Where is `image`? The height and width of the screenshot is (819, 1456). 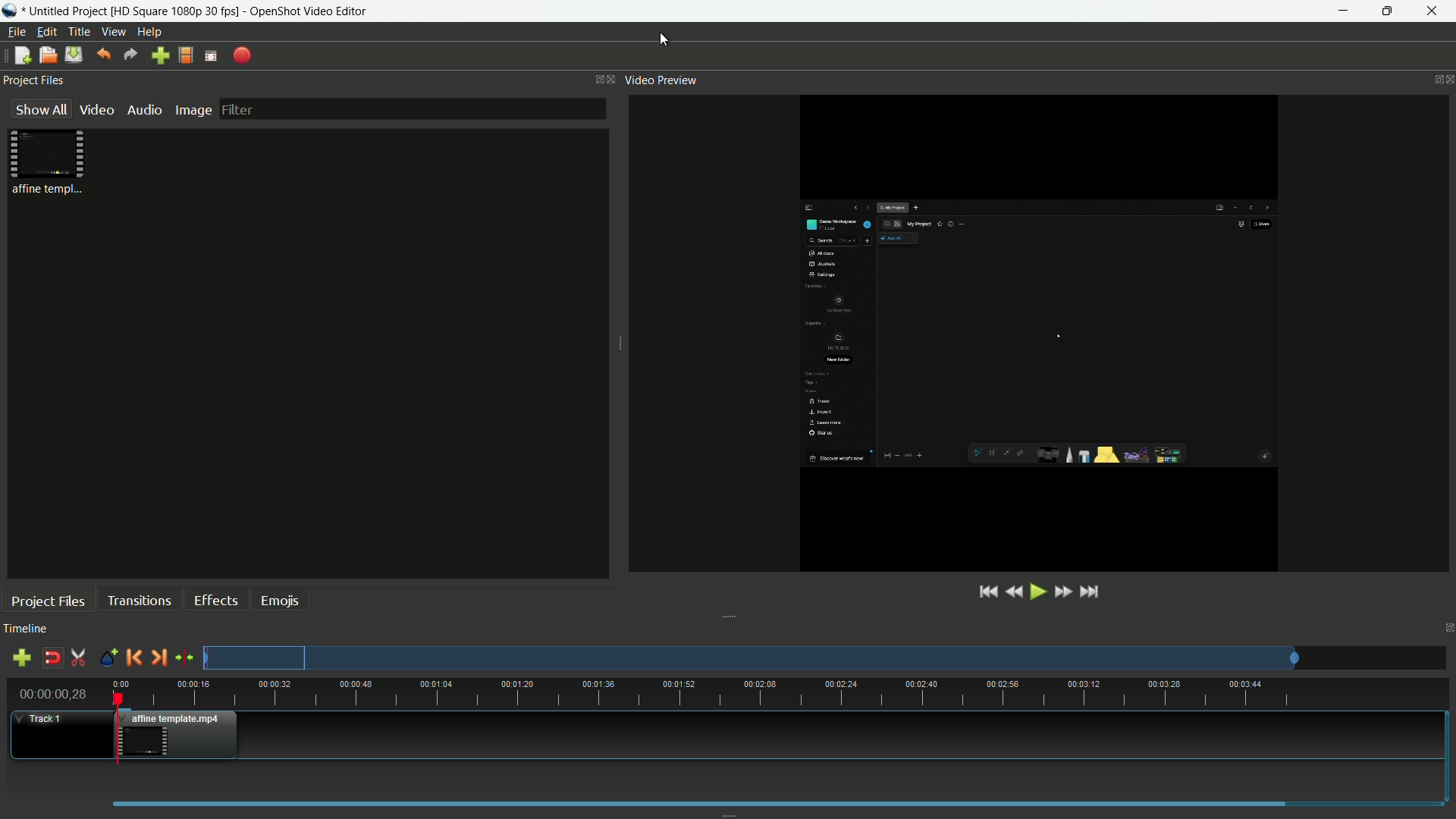 image is located at coordinates (193, 111).